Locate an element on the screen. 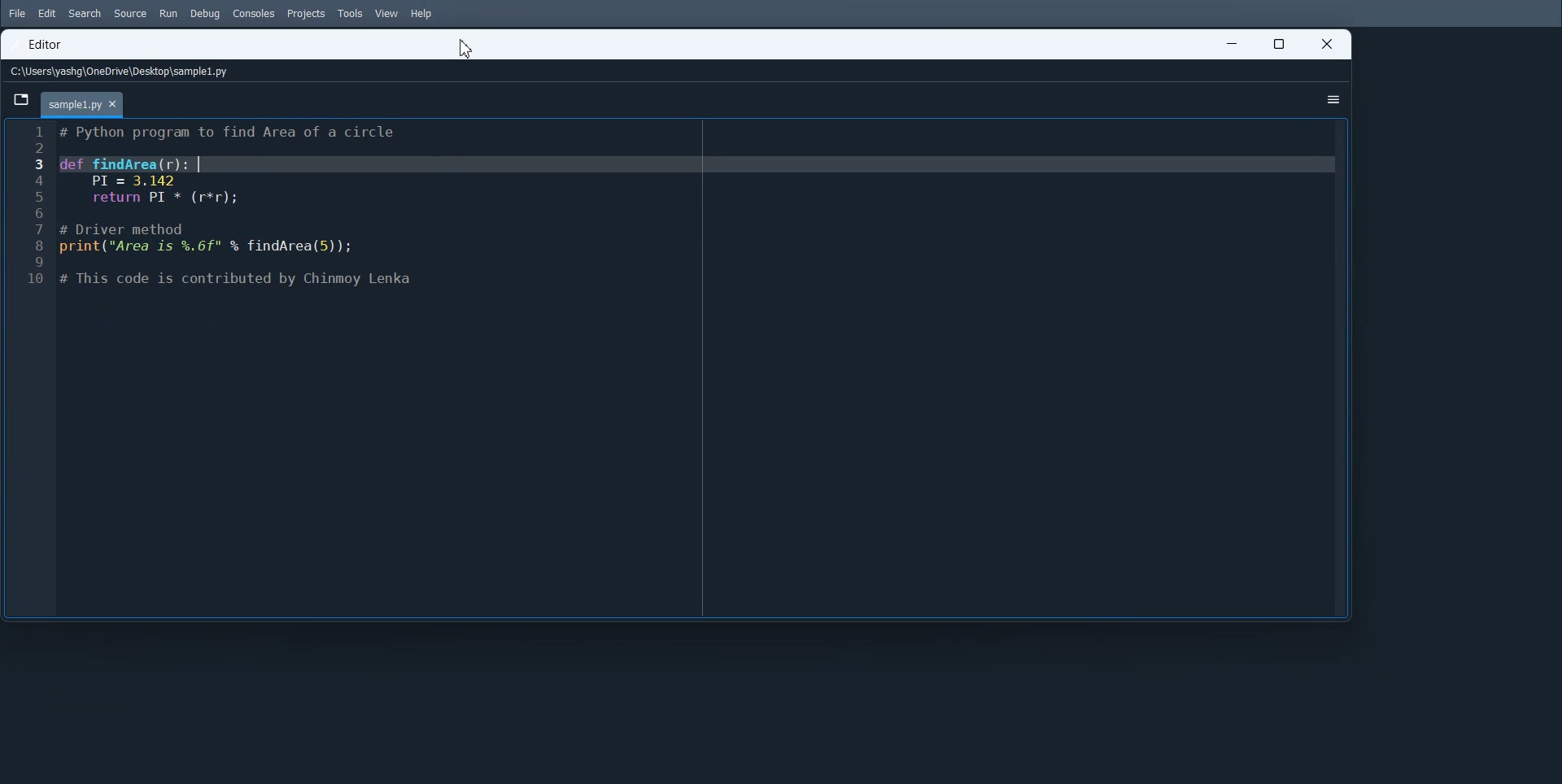 This screenshot has height=784, width=1562. File is located at coordinates (15, 13).